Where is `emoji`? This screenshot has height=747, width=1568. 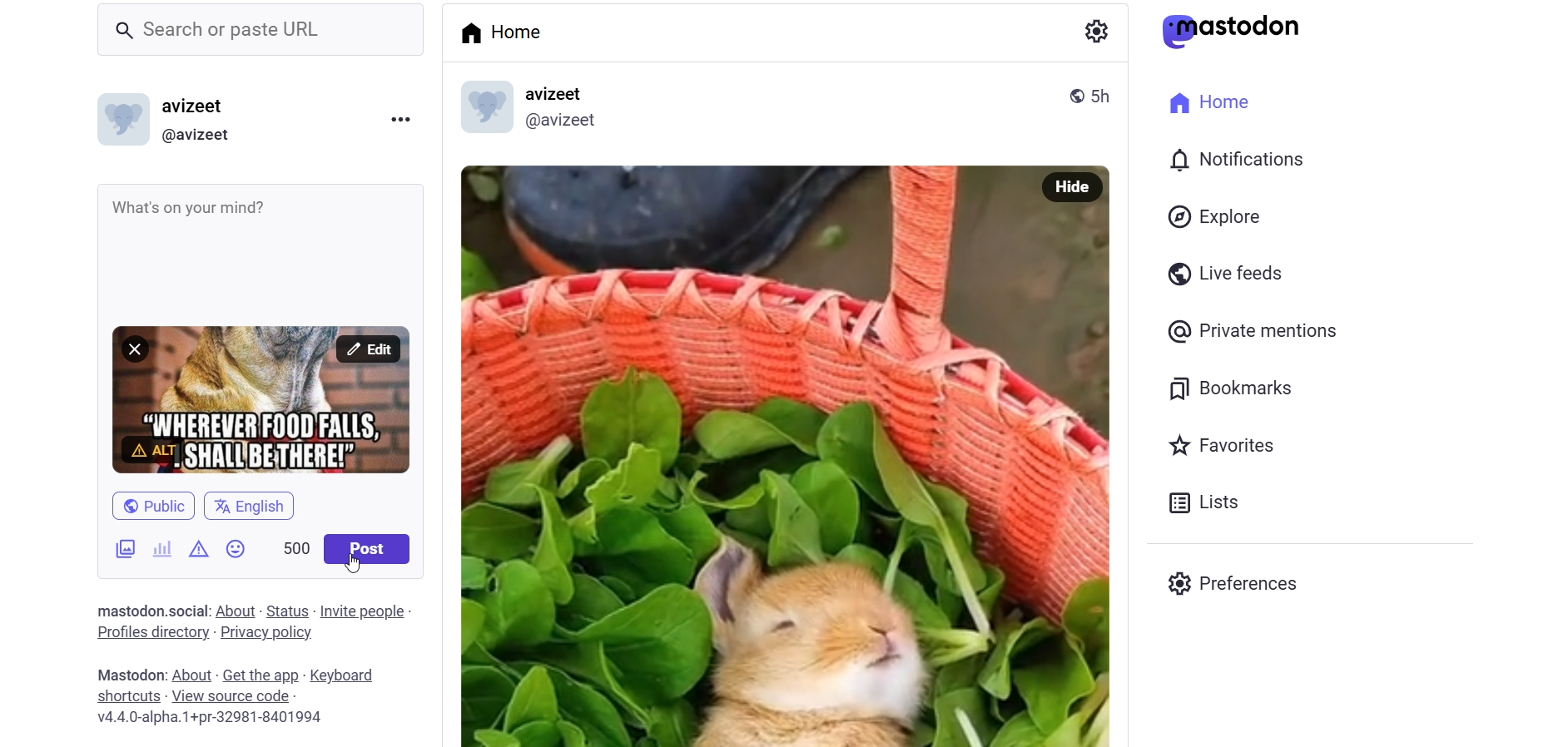
emoji is located at coordinates (239, 553).